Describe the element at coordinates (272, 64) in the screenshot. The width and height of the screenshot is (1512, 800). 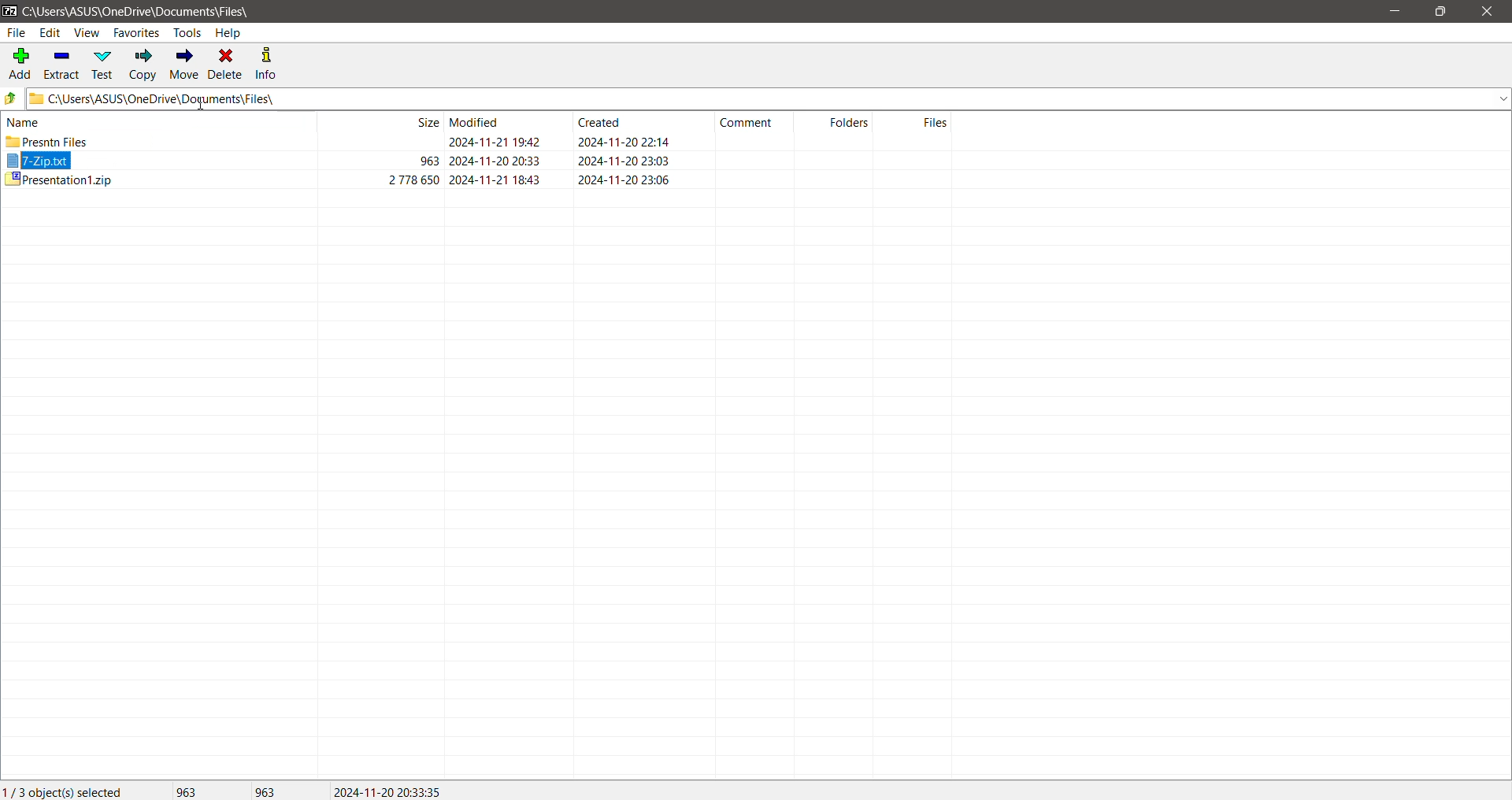
I see `Info` at that location.